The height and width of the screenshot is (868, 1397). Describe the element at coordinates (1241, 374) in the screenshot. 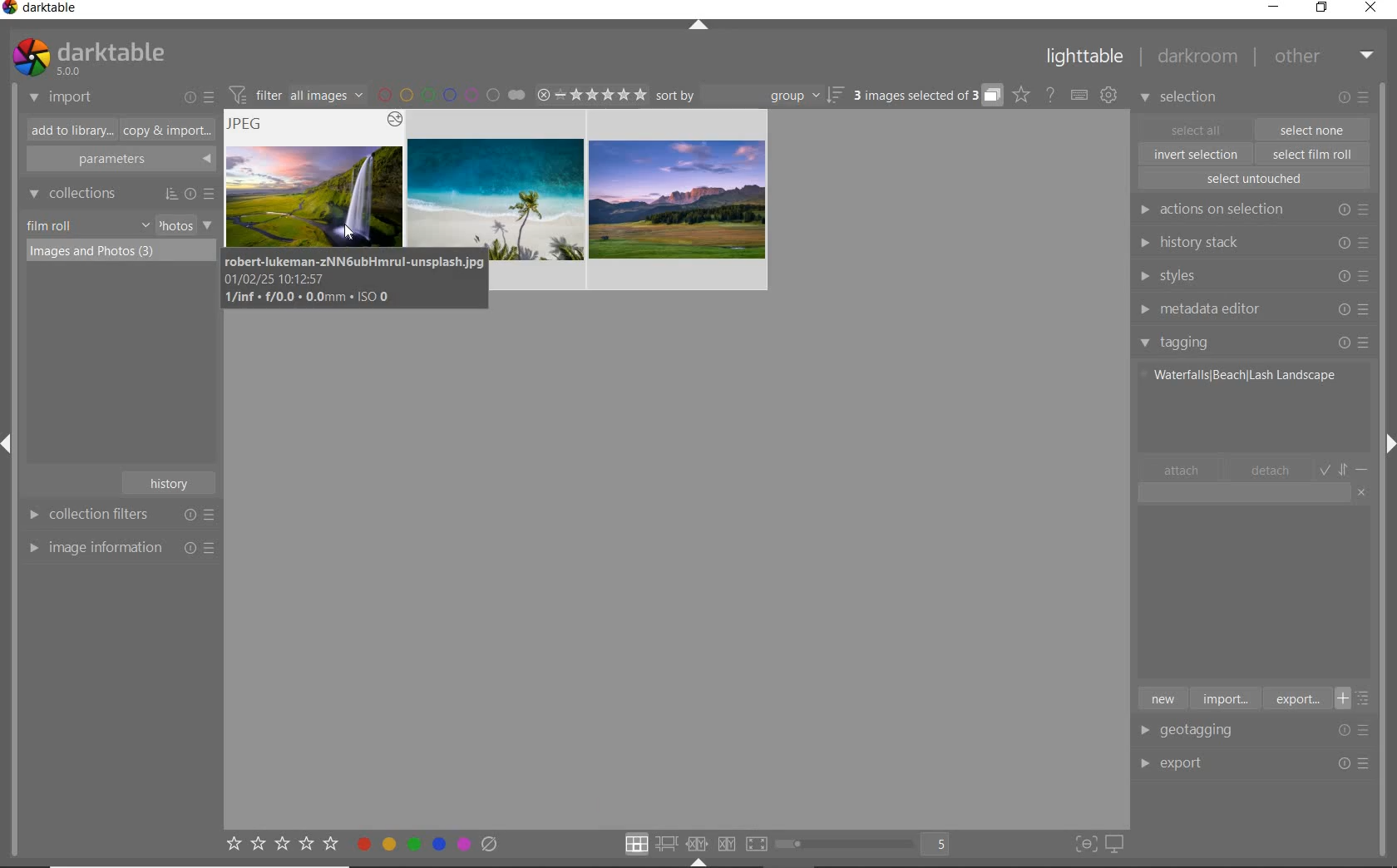

I see `Waterfalls/Beach/Lash Landscape` at that location.